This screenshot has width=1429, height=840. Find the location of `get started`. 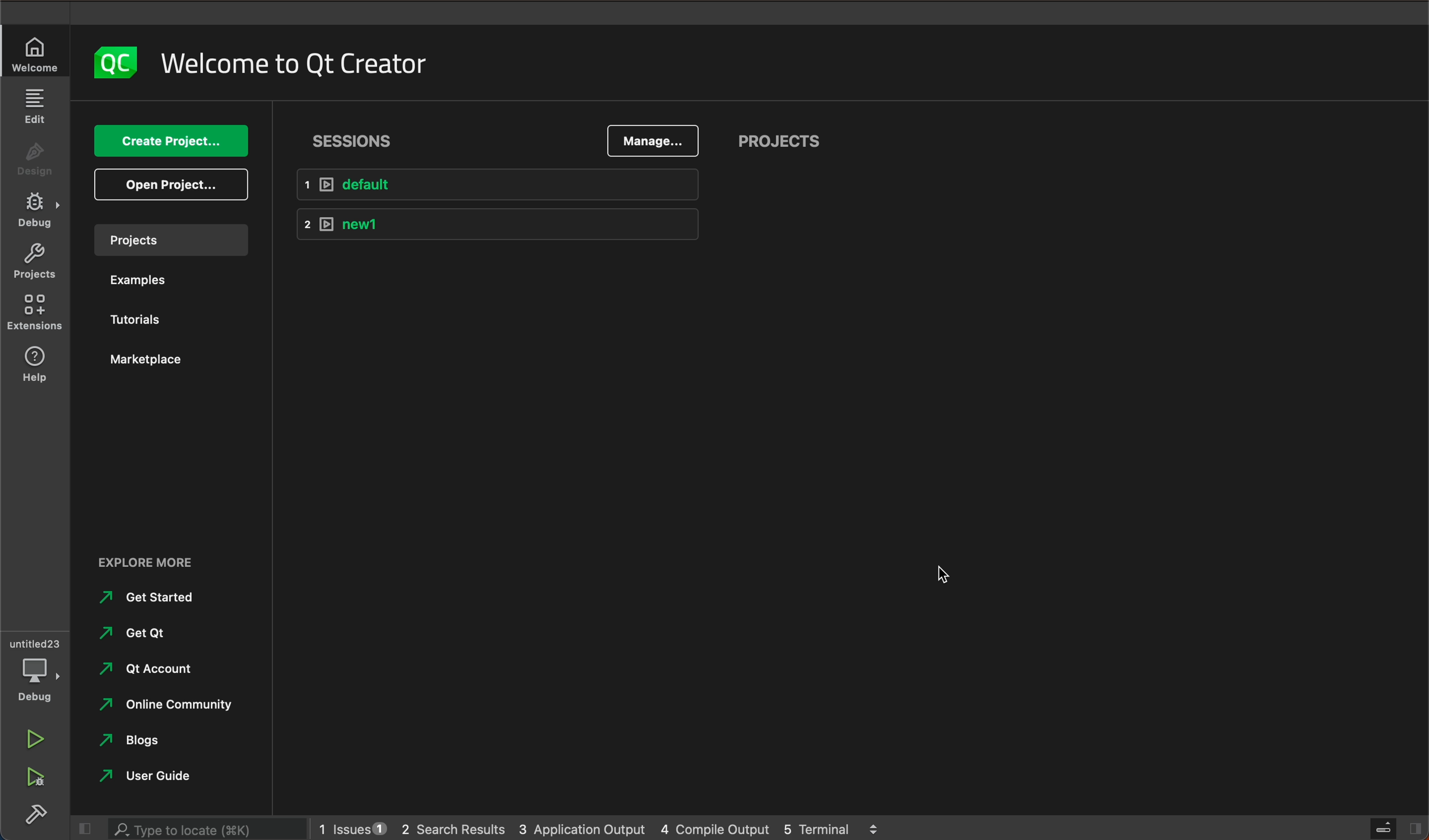

get started is located at coordinates (153, 597).